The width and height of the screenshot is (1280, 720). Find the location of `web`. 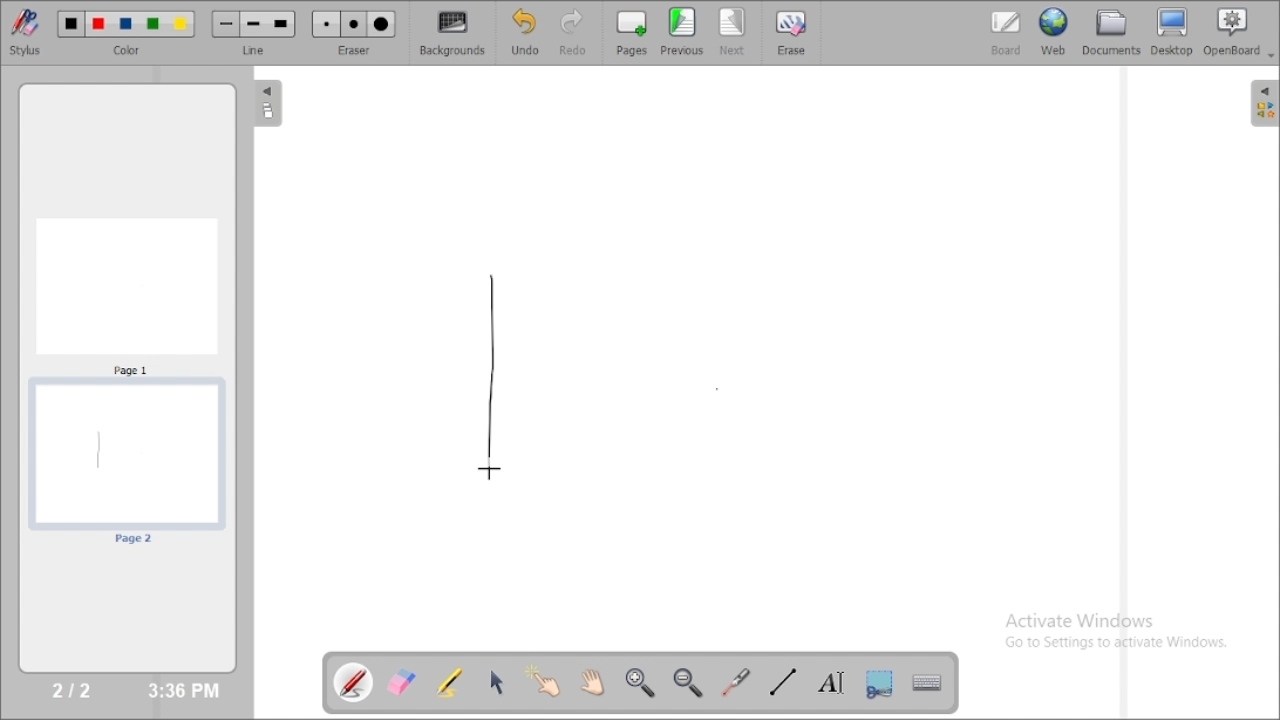

web is located at coordinates (1054, 31).